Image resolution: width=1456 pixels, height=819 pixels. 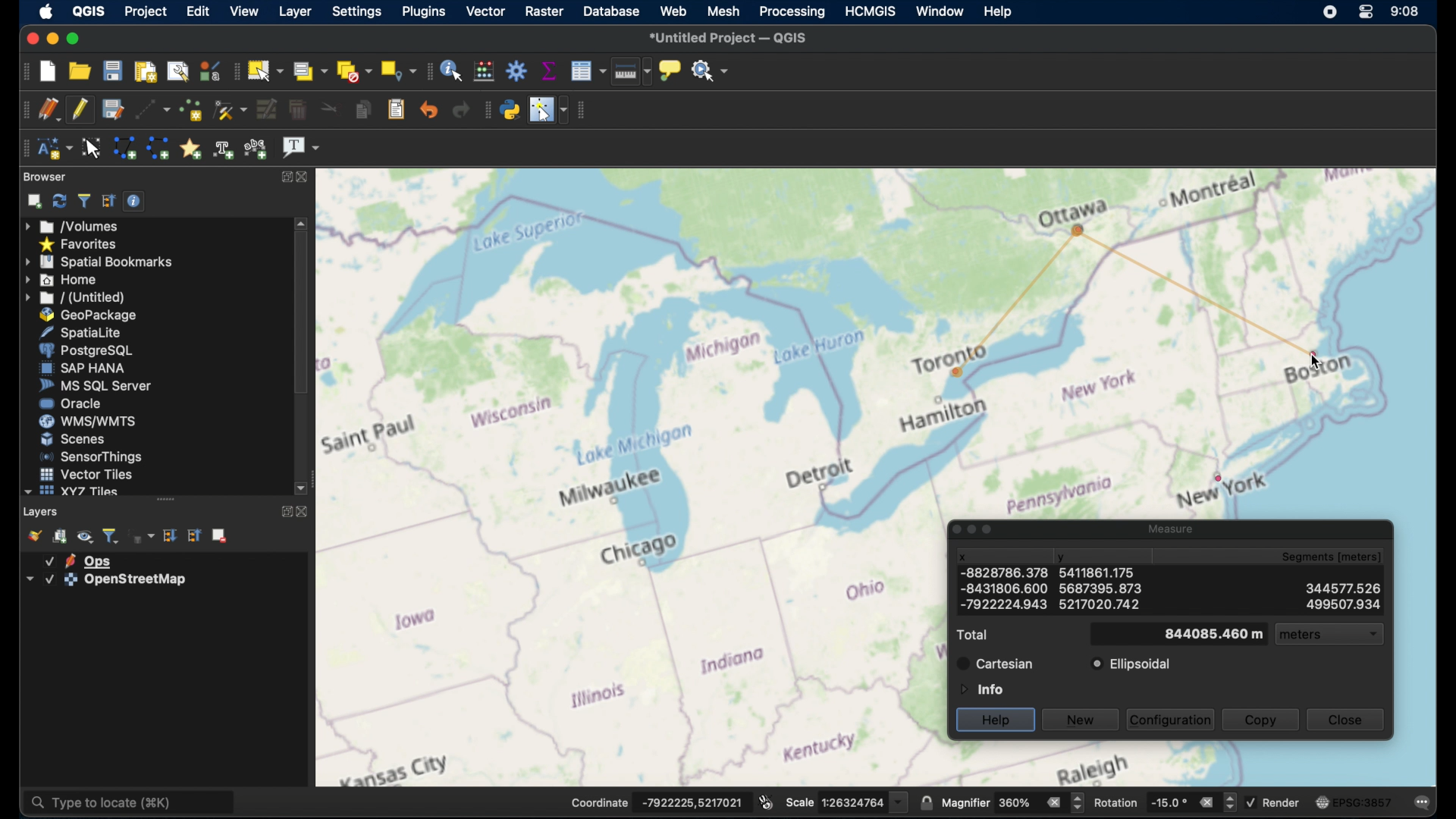 What do you see at coordinates (46, 177) in the screenshot?
I see `browser` at bounding box center [46, 177].